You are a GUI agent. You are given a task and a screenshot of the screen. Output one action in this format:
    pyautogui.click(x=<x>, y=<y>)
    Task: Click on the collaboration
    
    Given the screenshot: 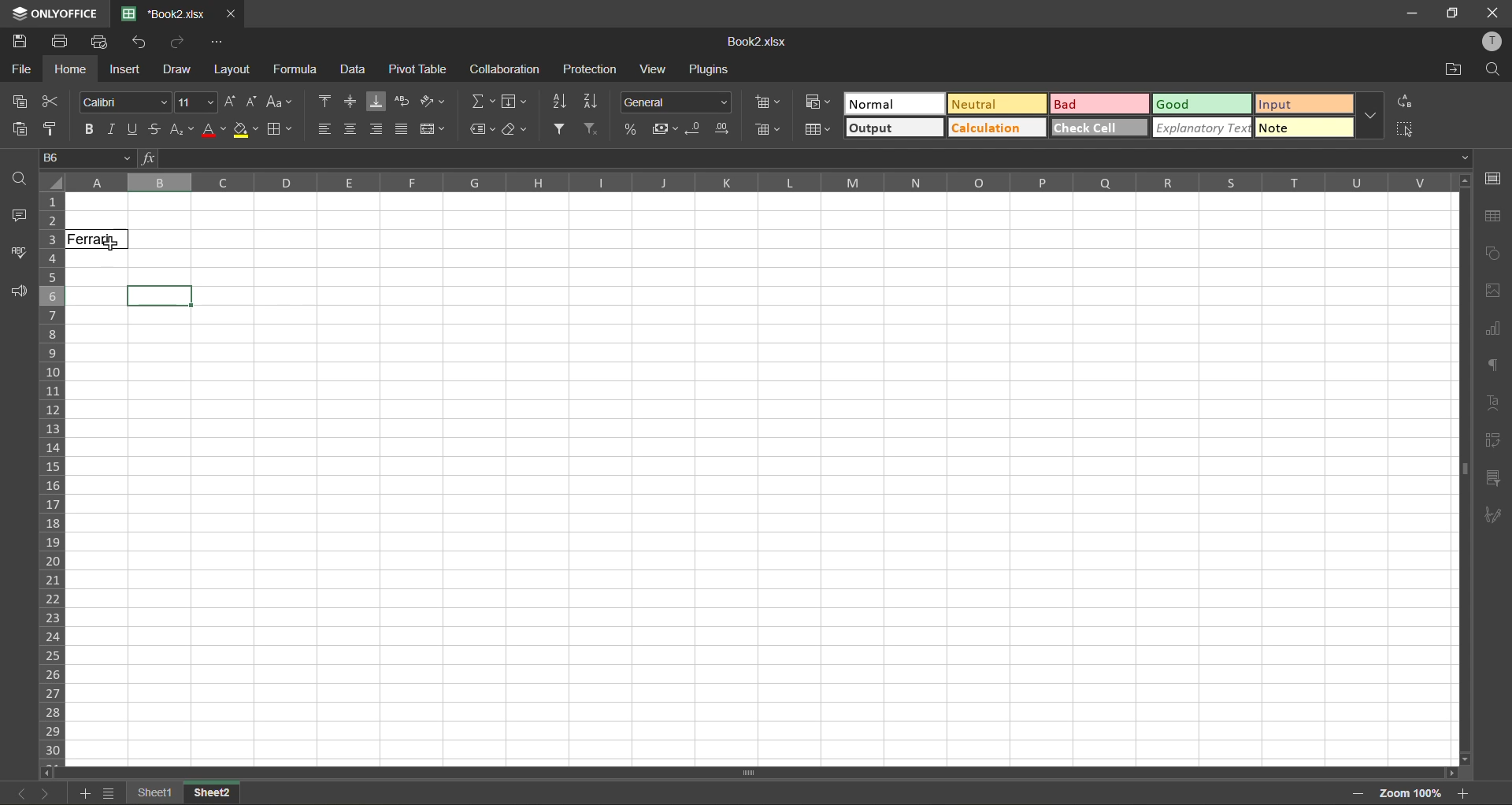 What is the action you would take?
    pyautogui.click(x=506, y=69)
    